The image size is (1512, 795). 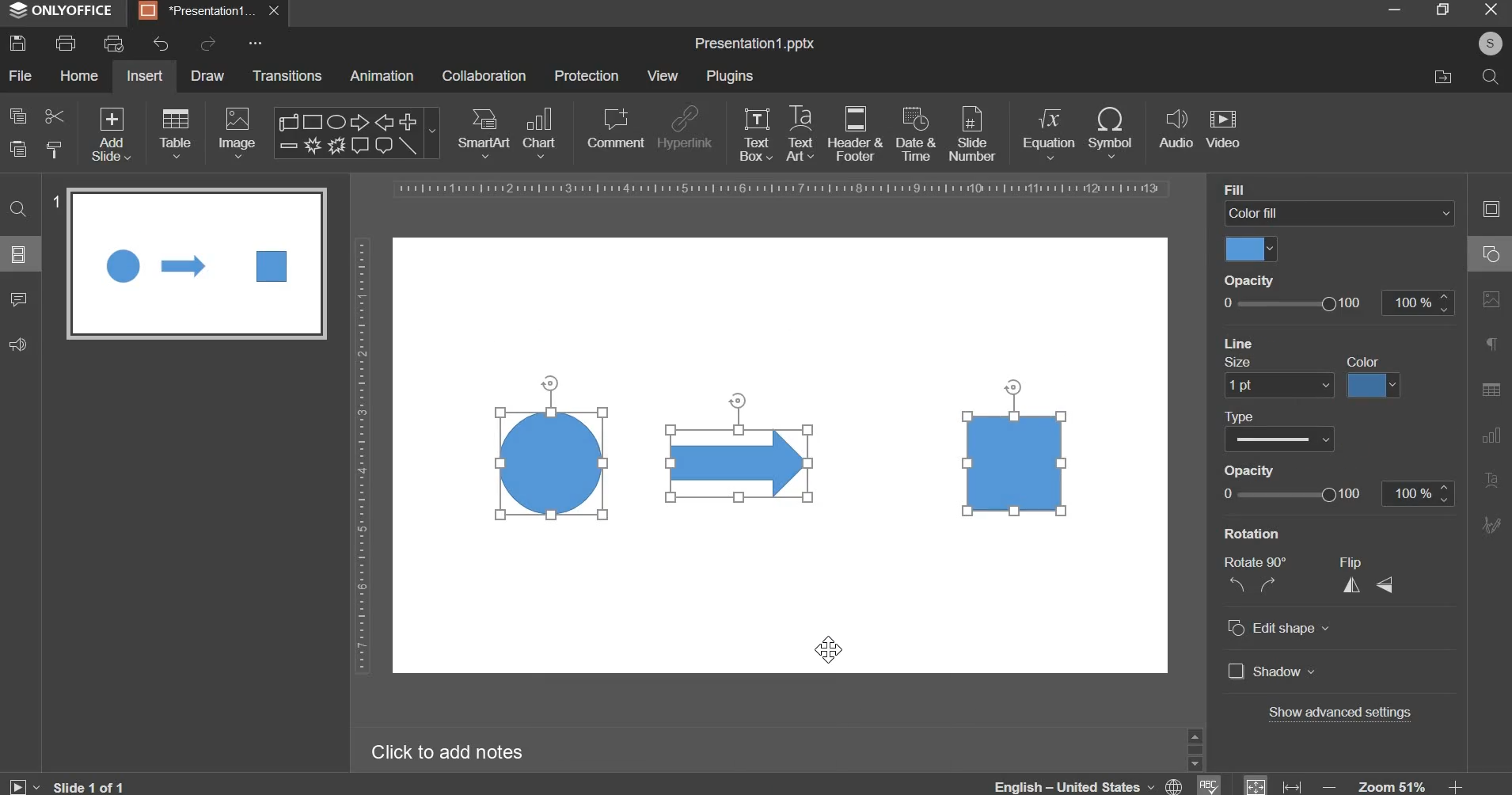 What do you see at coordinates (1255, 279) in the screenshot?
I see `opacity` at bounding box center [1255, 279].